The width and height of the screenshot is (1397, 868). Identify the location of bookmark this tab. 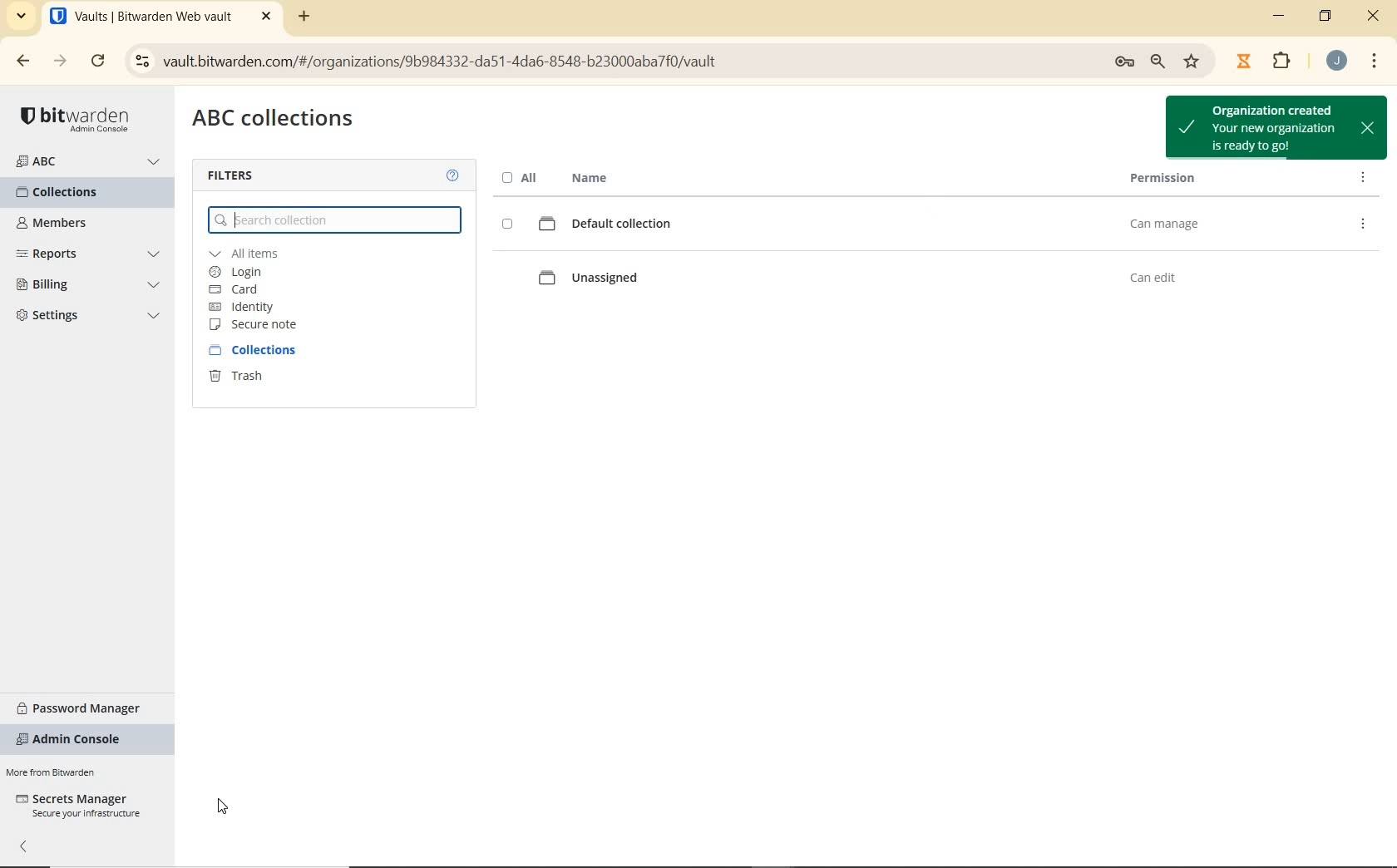
(1194, 60).